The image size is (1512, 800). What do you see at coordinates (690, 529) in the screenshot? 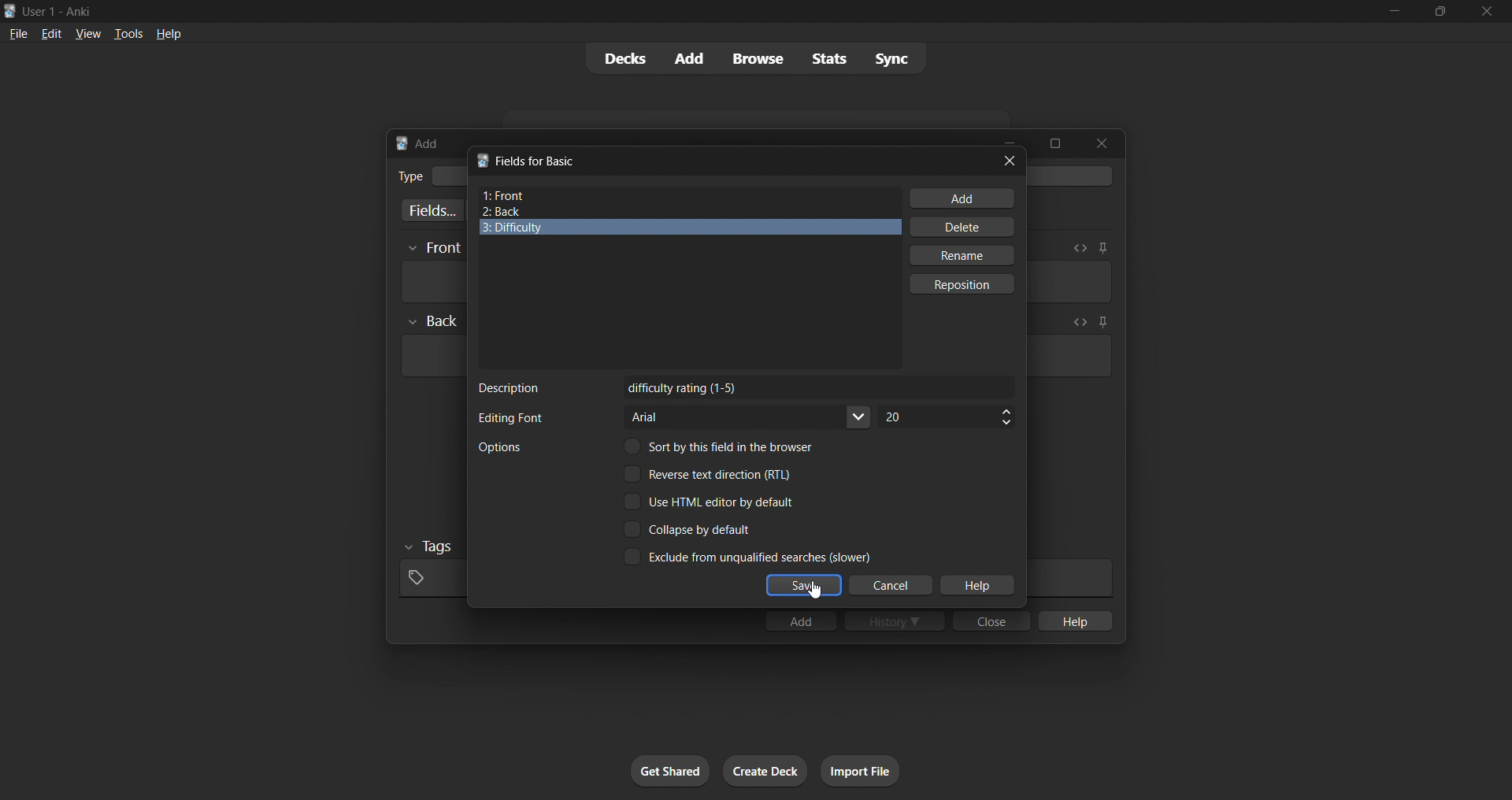
I see `Toggle` at bounding box center [690, 529].